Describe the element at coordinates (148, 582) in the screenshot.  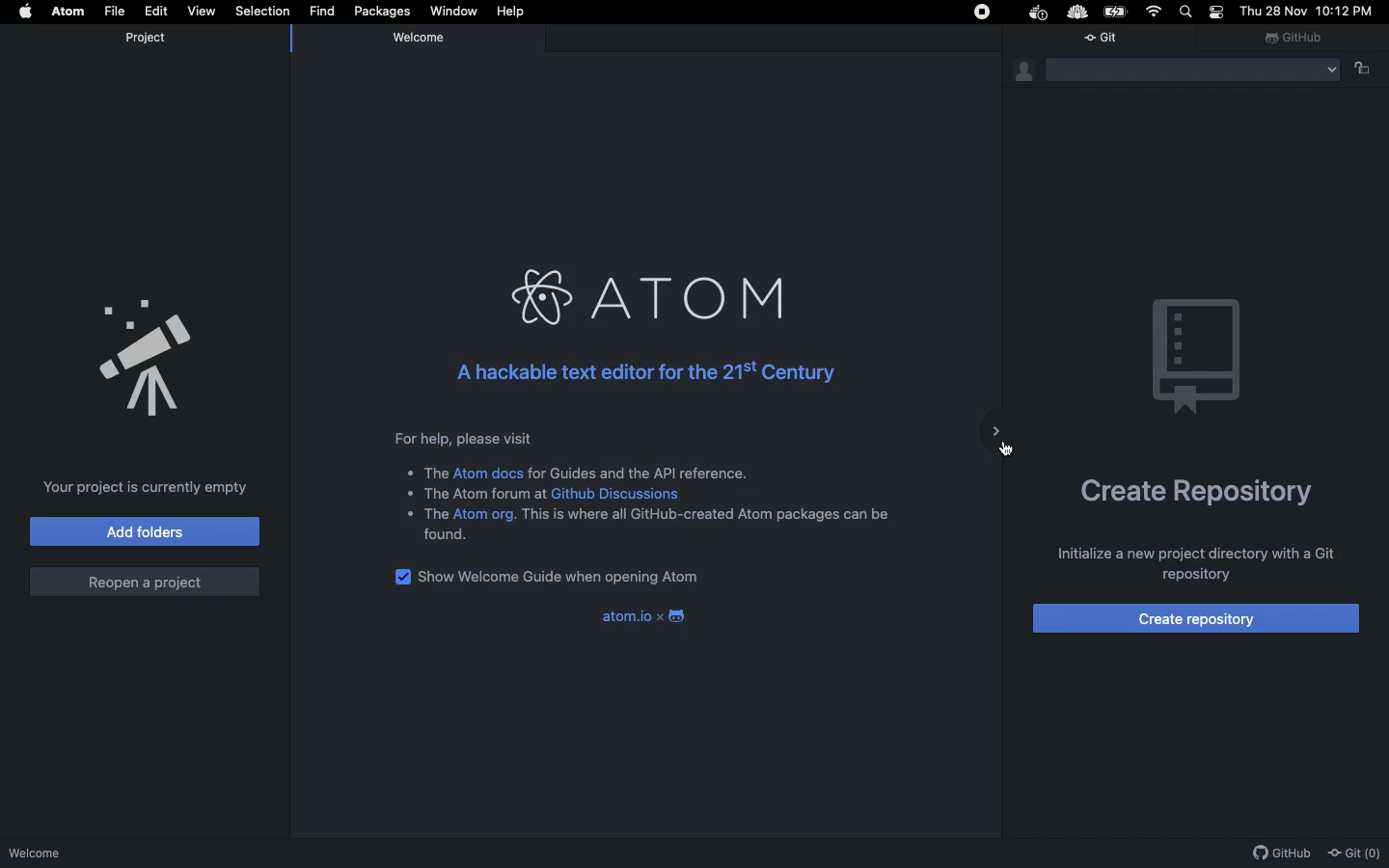
I see `Reopen a project` at that location.